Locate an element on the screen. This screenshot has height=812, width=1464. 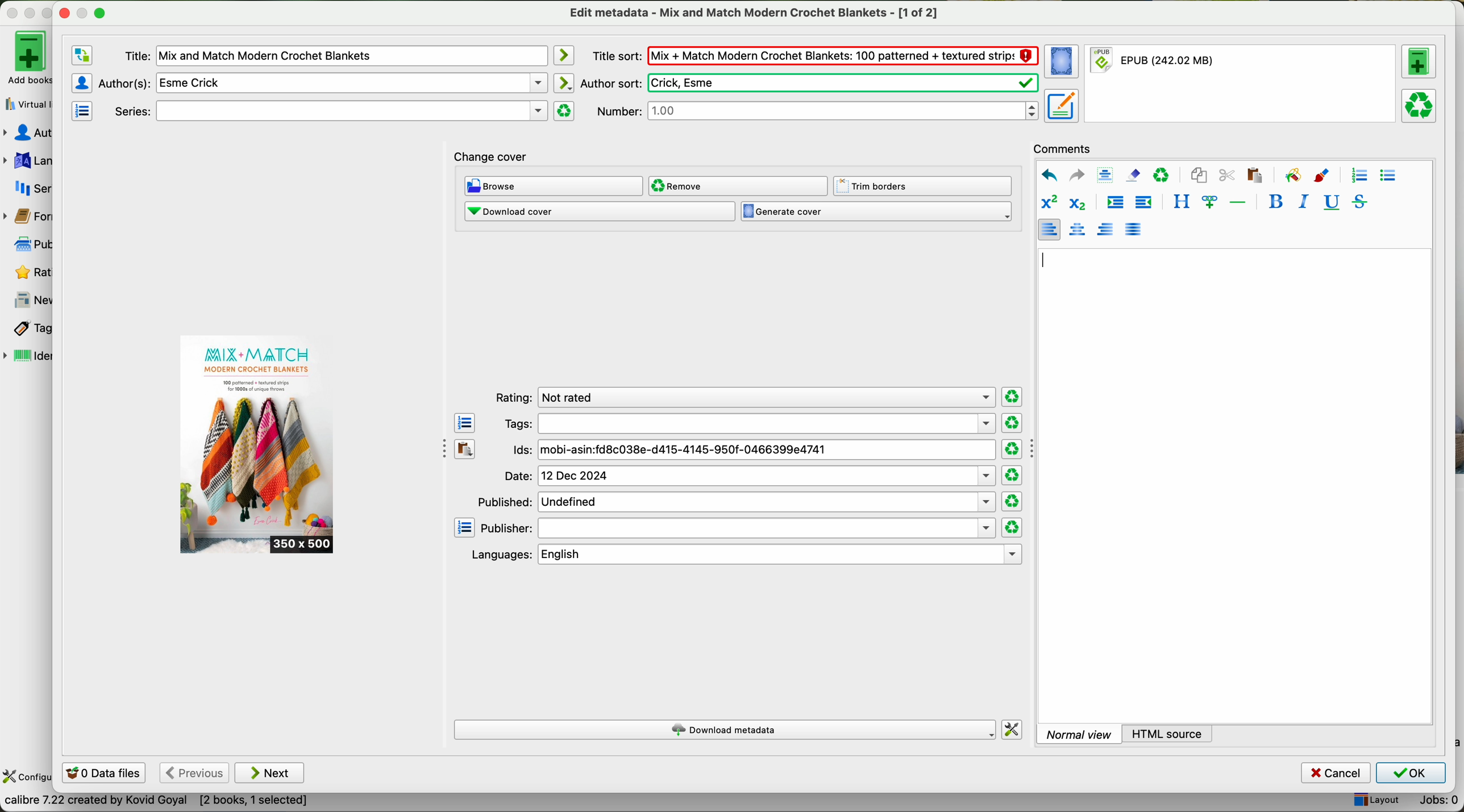
edit metadata is located at coordinates (756, 13).